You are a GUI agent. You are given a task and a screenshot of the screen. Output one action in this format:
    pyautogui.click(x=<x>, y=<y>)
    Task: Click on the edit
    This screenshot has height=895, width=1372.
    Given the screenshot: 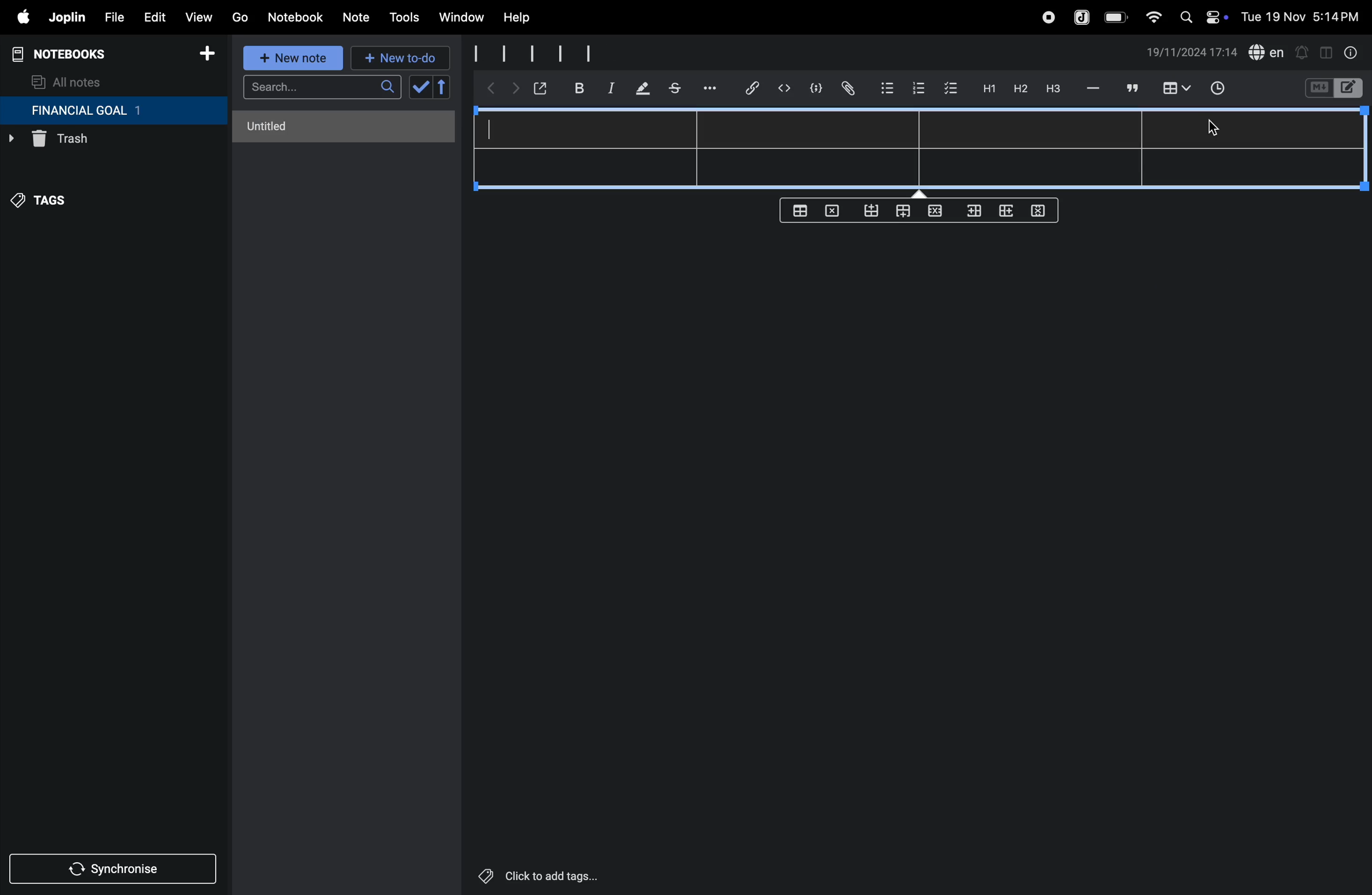 What is the action you would take?
    pyautogui.click(x=149, y=14)
    